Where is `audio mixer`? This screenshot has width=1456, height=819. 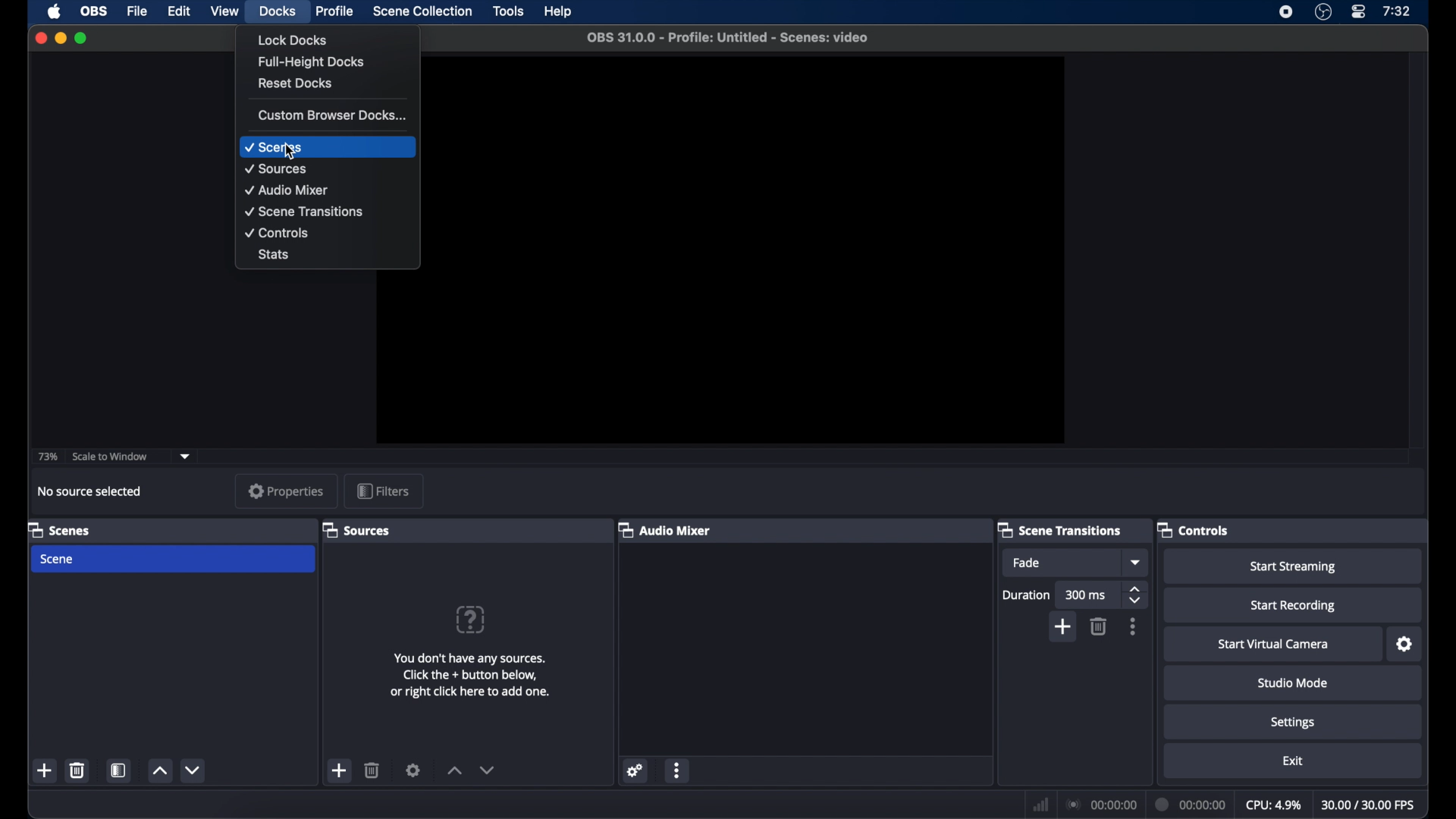 audio mixer is located at coordinates (287, 190).